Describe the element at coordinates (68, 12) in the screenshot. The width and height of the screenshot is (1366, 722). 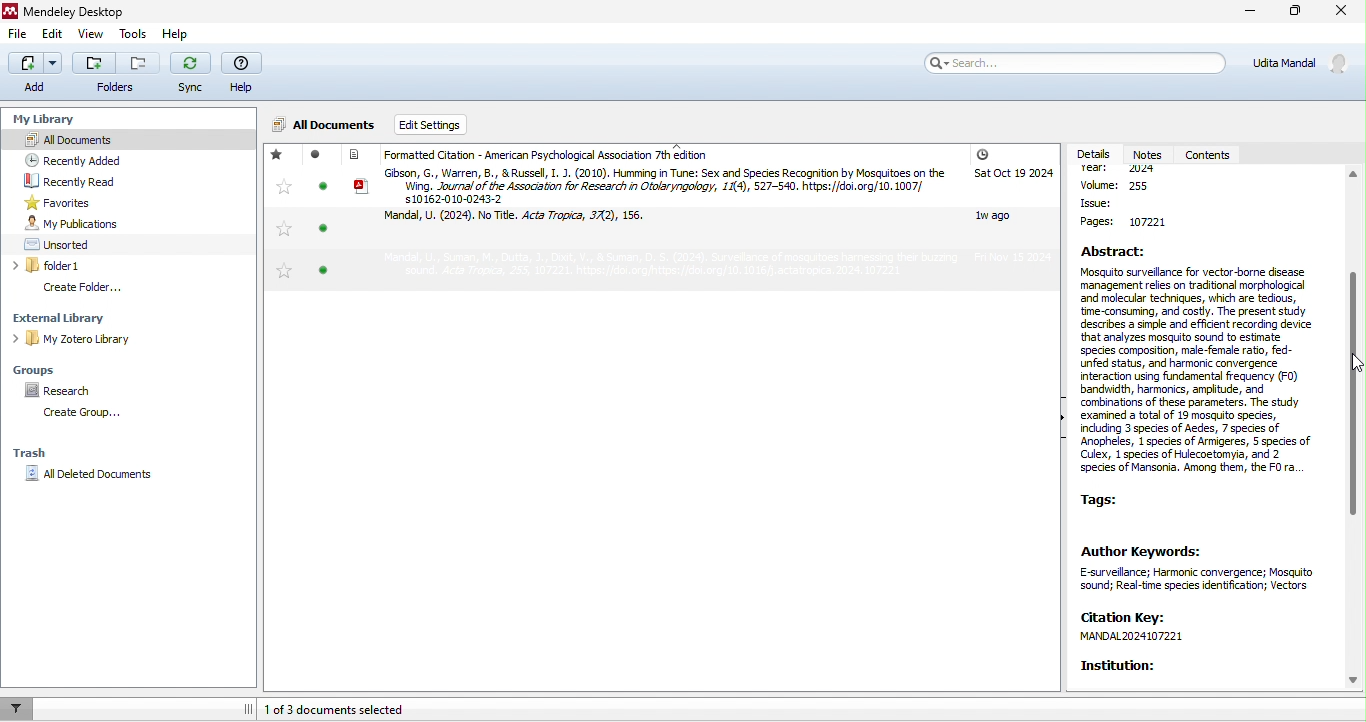
I see `Mendeley Desktop` at that location.